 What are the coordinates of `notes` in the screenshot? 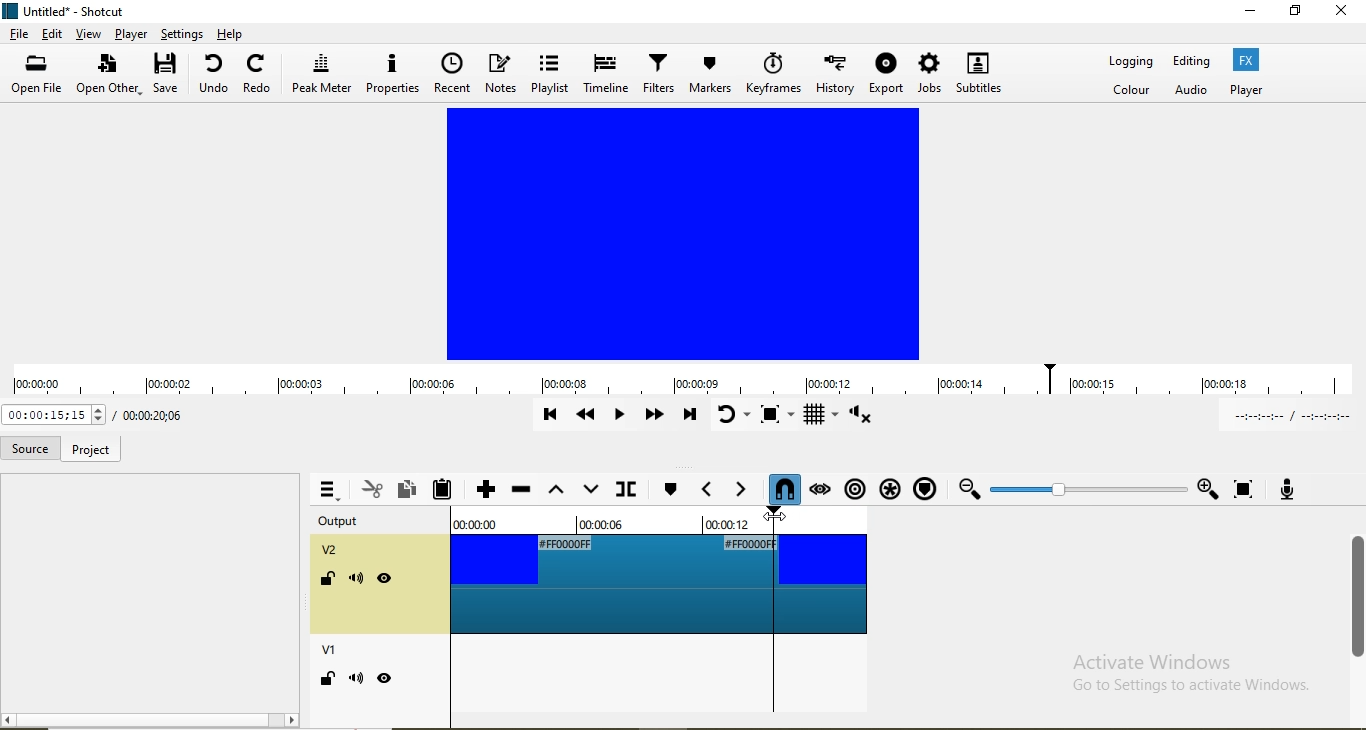 It's located at (502, 75).